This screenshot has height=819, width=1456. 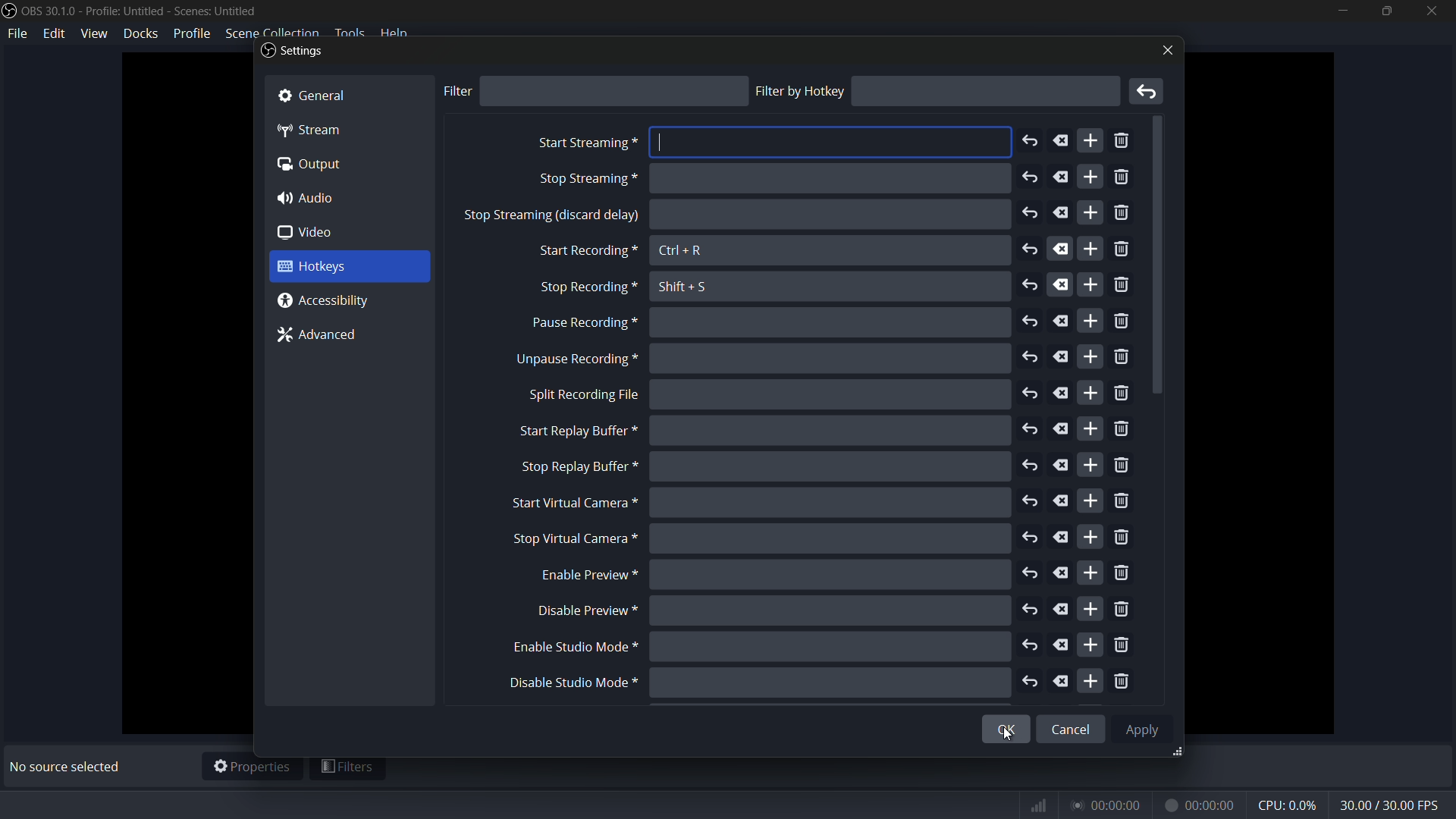 What do you see at coordinates (823, 141) in the screenshot?
I see `input area` at bounding box center [823, 141].